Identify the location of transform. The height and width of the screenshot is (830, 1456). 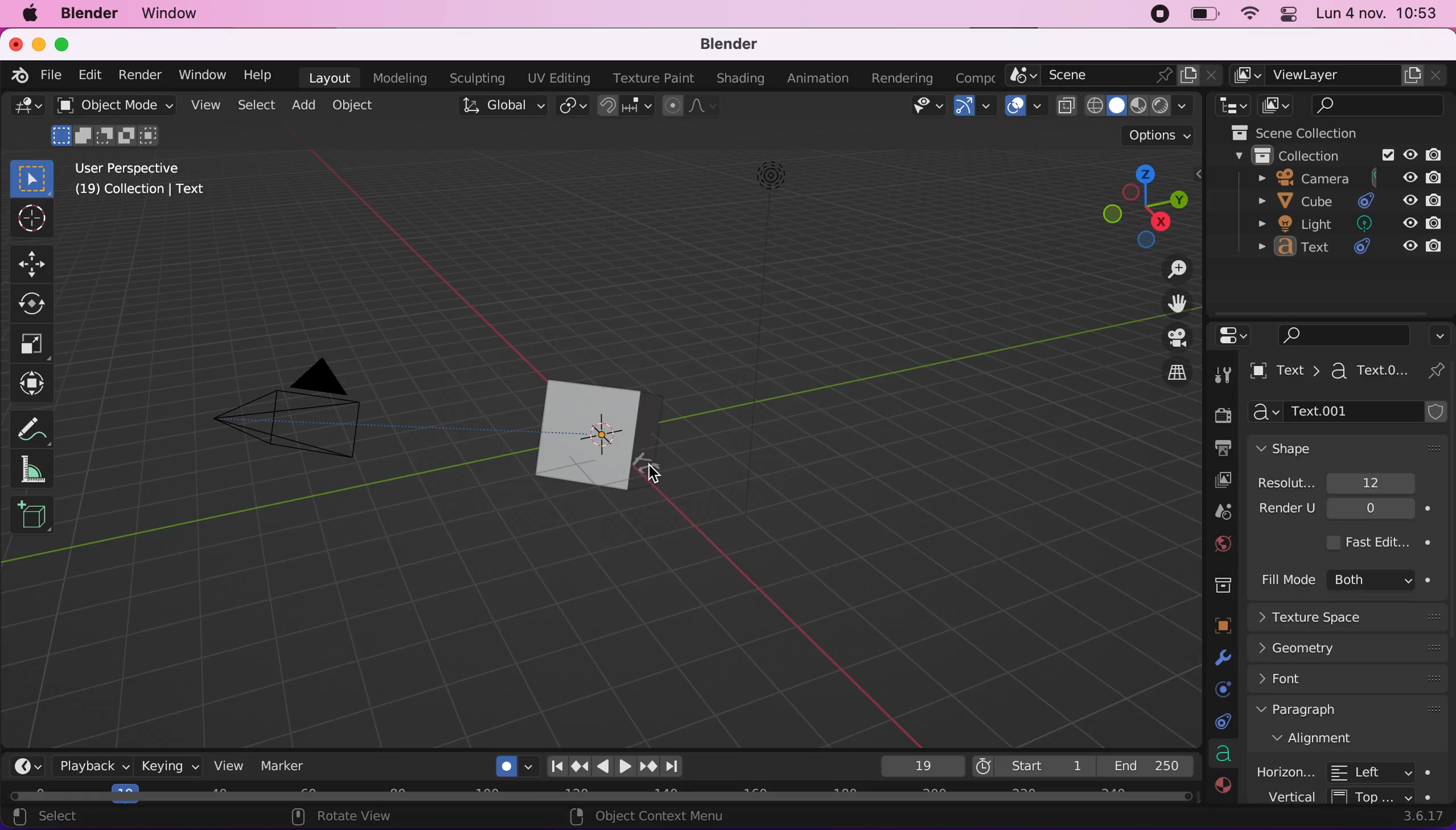
(31, 386).